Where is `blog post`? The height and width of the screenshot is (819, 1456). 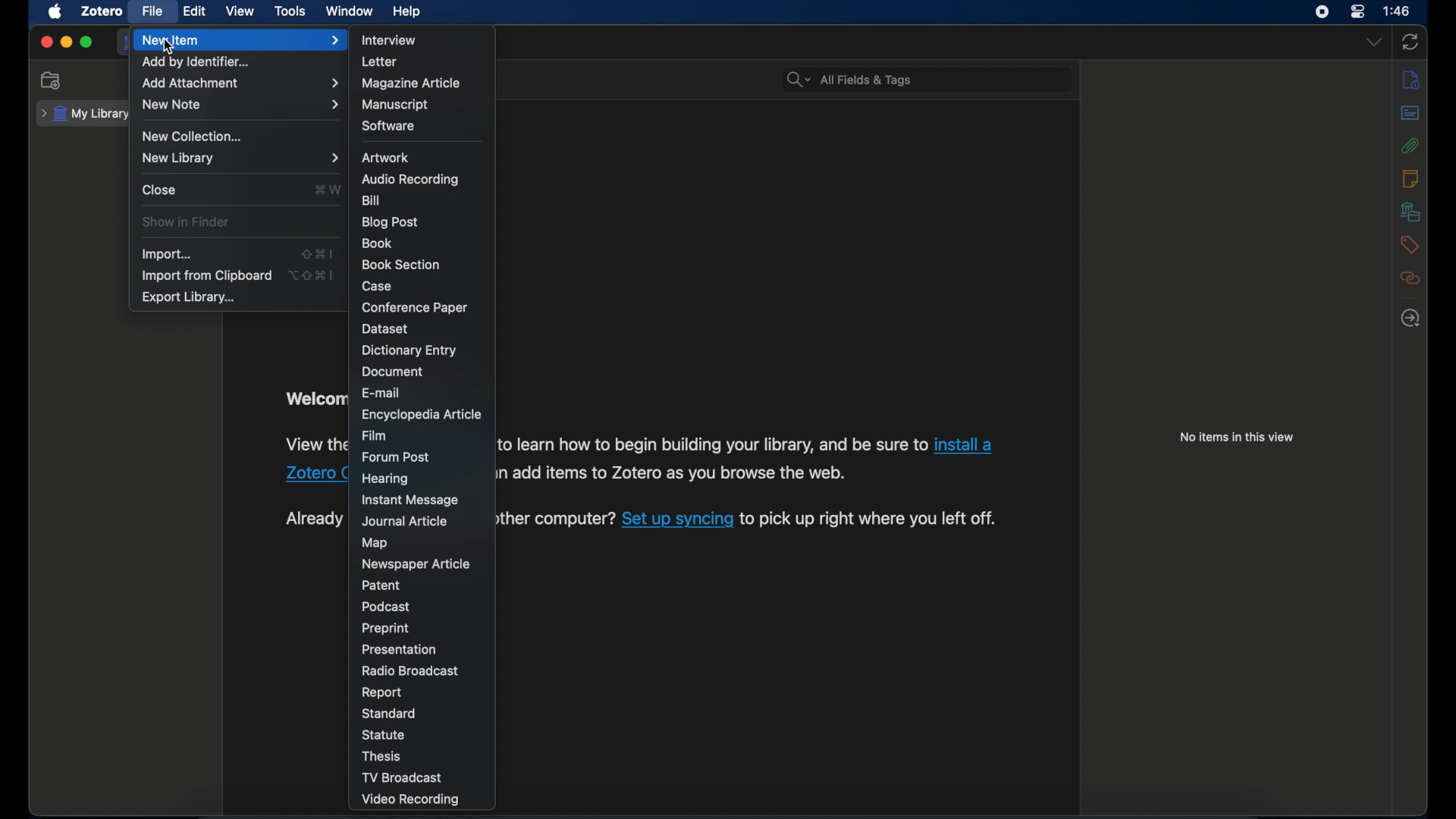 blog post is located at coordinates (388, 222).